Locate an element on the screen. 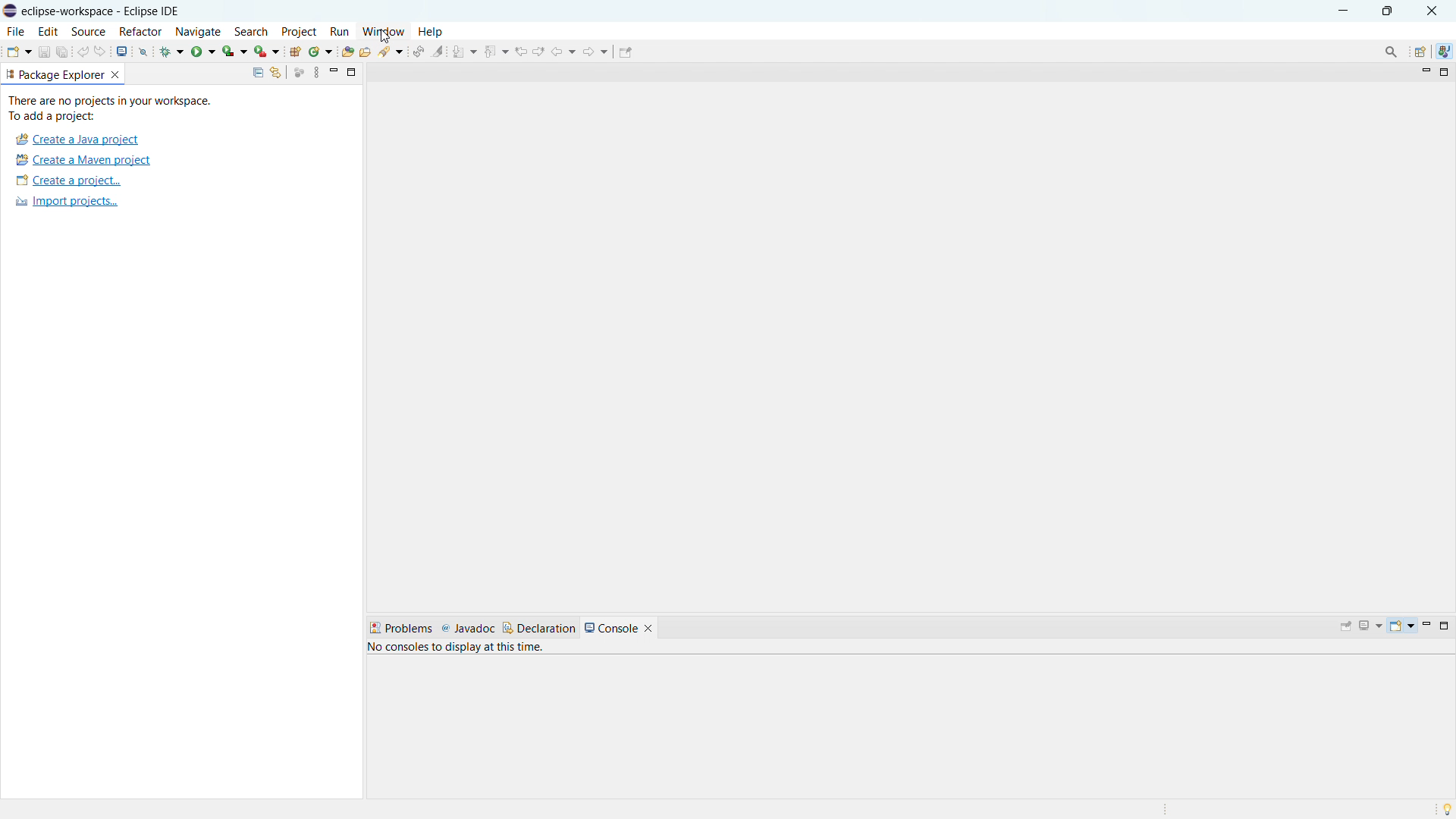 This screenshot has height=819, width=1456. create a maven project is located at coordinates (83, 160).